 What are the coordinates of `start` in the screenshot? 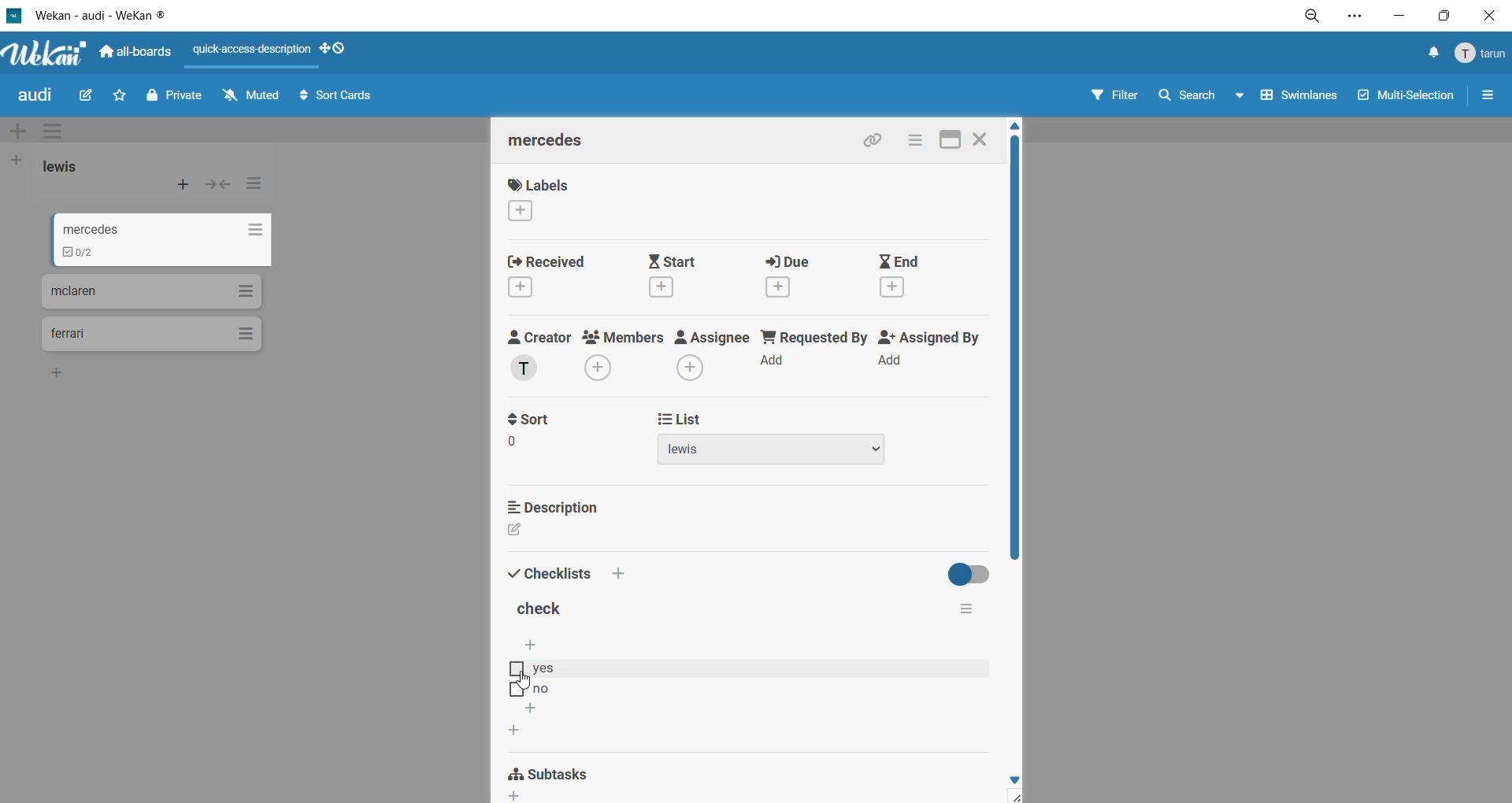 It's located at (684, 276).